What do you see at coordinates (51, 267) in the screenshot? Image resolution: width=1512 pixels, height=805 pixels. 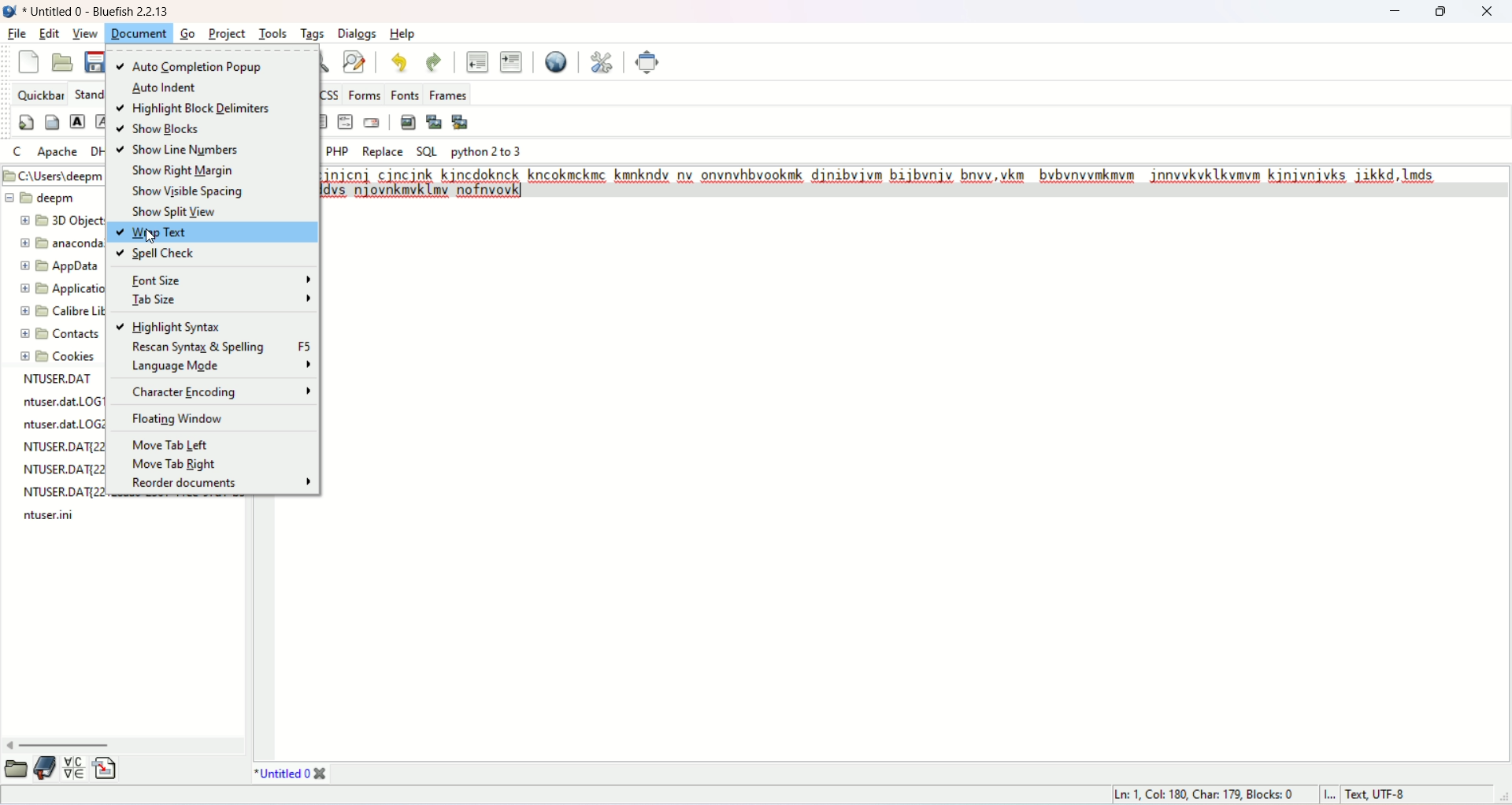 I see `appdata` at bounding box center [51, 267].